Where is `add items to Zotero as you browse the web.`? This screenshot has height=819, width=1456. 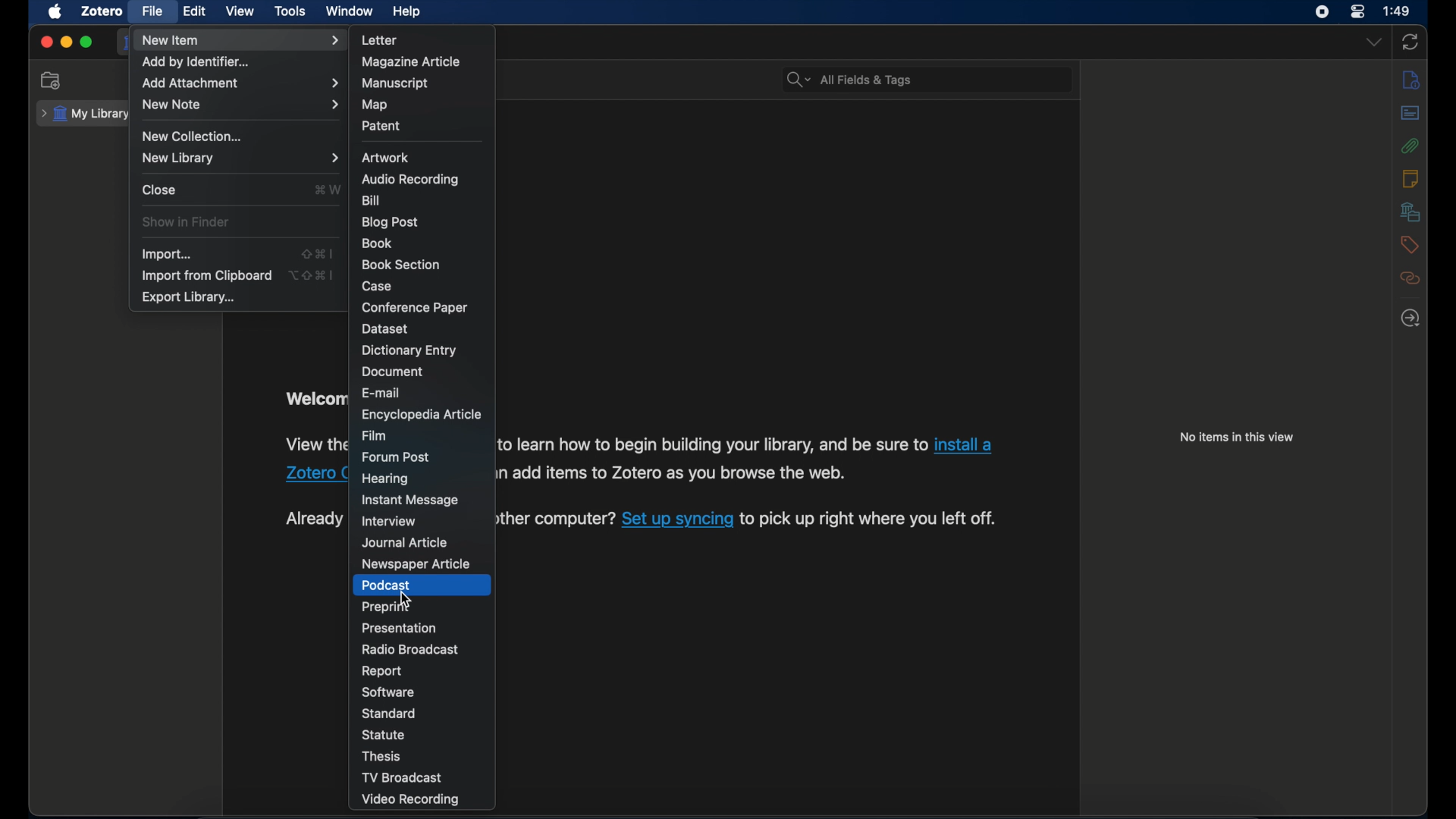
add items to Zotero as you browse the web. is located at coordinates (681, 472).